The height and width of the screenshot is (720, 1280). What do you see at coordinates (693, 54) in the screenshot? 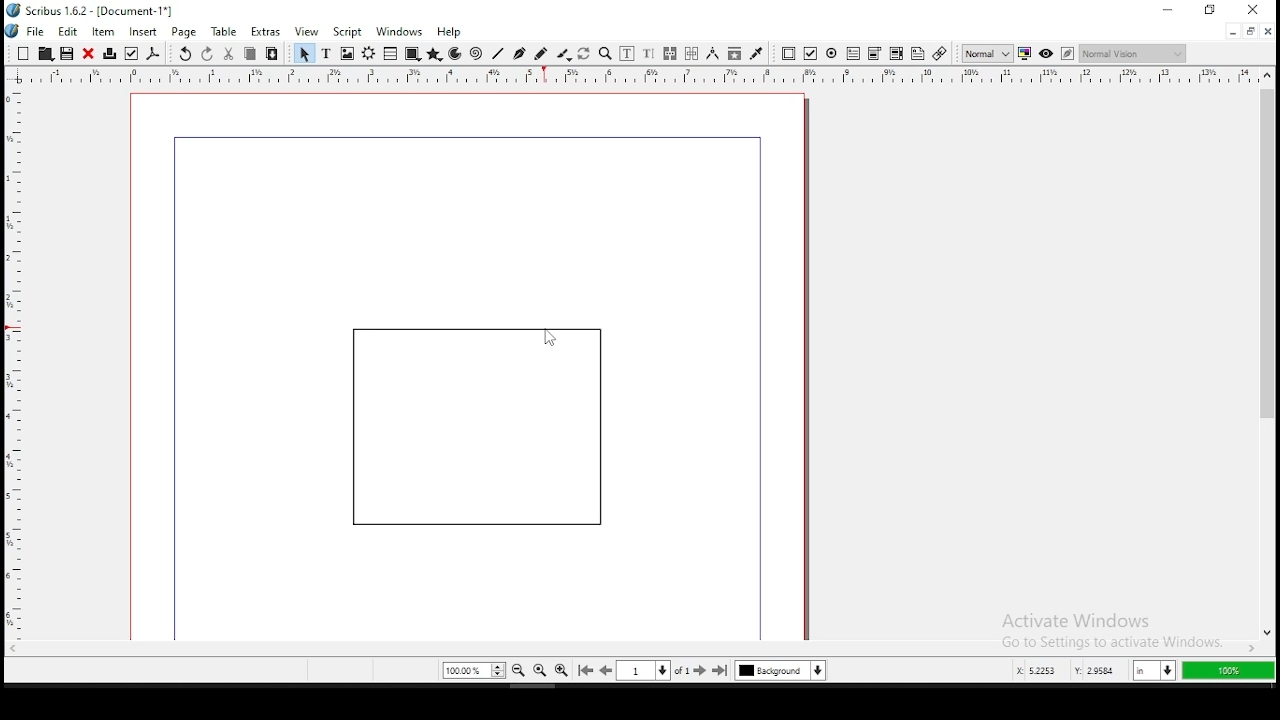
I see `unlink text frames` at bounding box center [693, 54].